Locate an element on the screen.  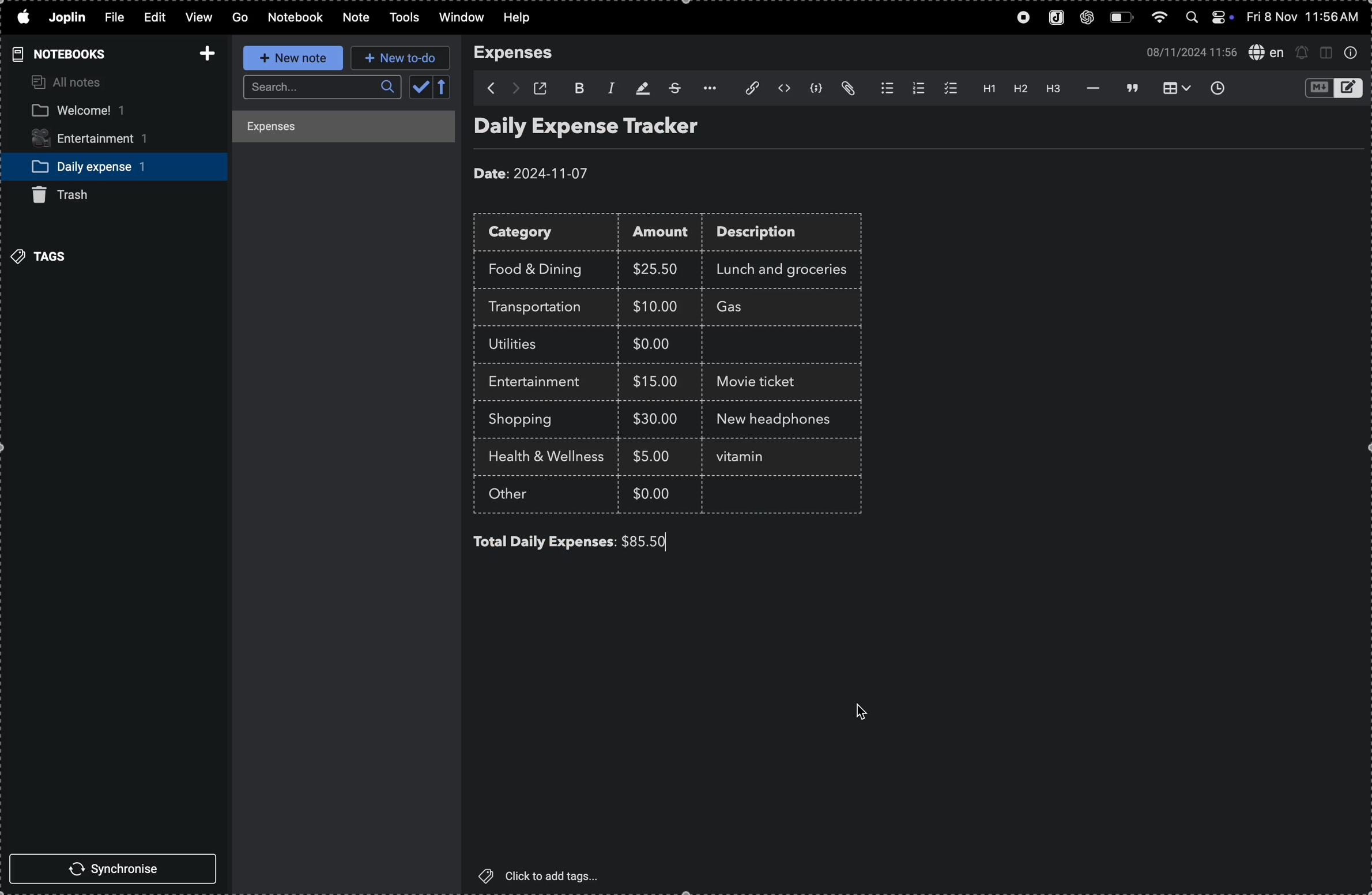
total daily expenses is located at coordinates (543, 541).